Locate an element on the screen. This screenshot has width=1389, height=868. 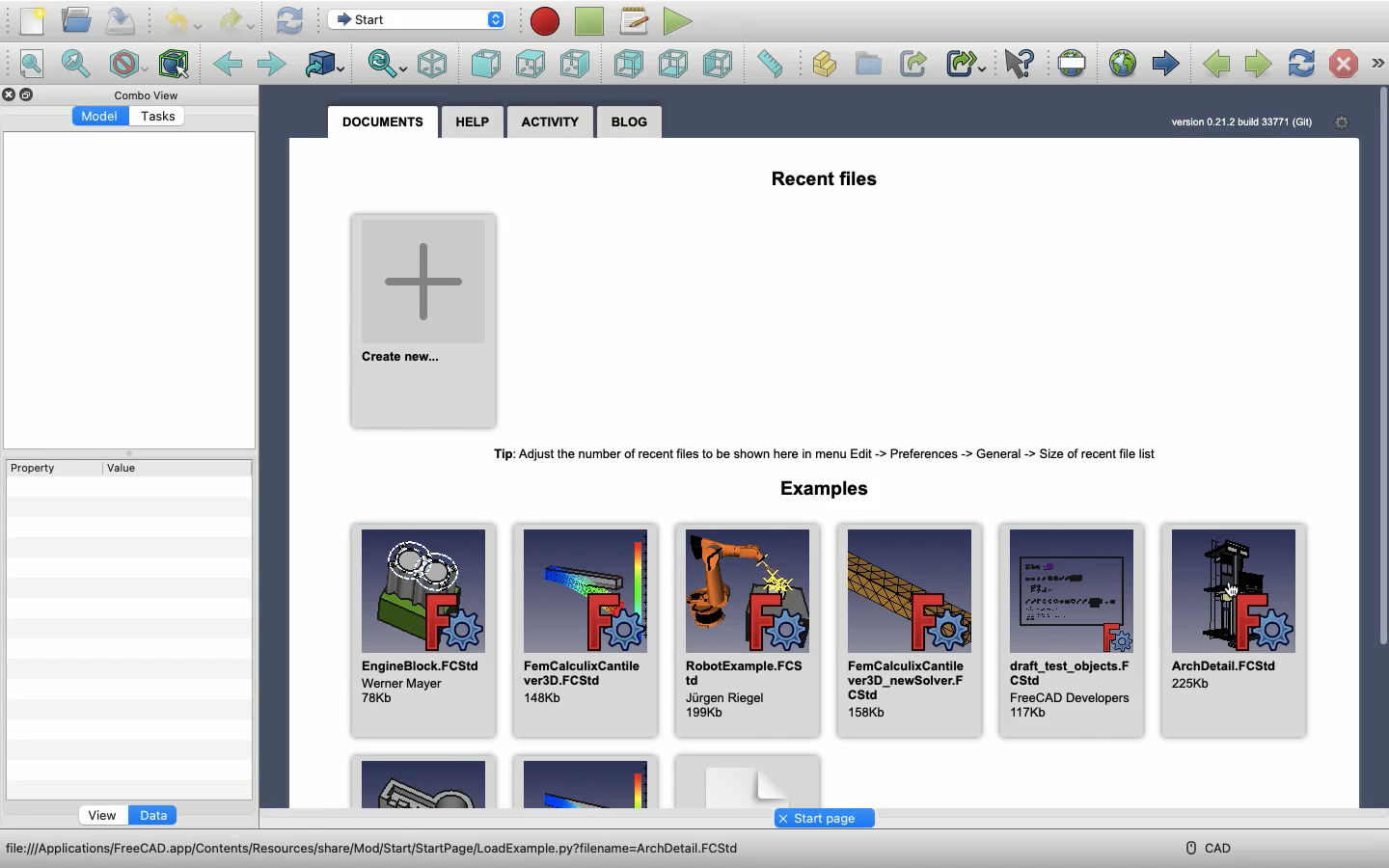
Scroll is located at coordinates (1380, 367).